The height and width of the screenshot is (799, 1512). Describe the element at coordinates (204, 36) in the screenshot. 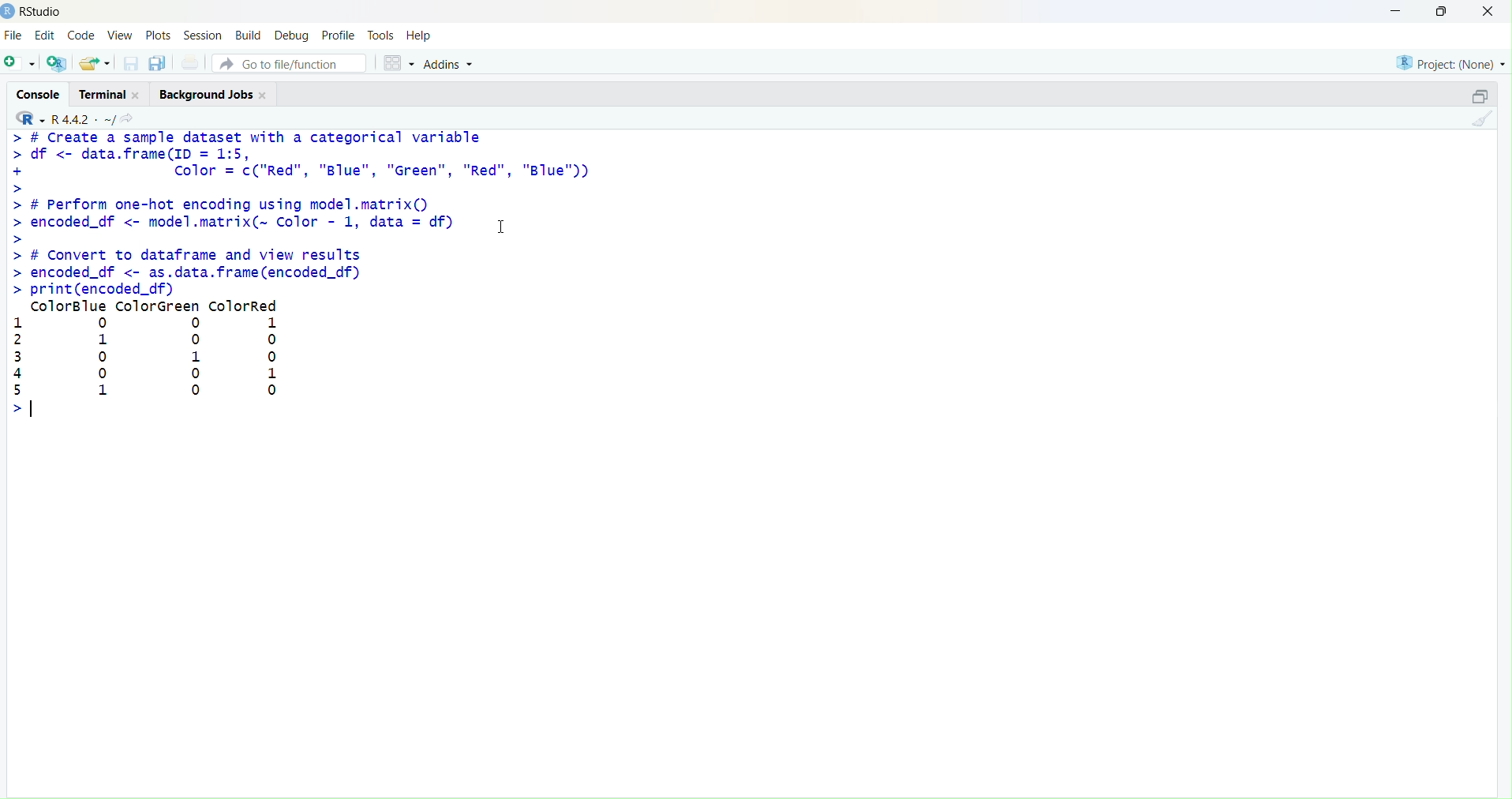

I see `session` at that location.